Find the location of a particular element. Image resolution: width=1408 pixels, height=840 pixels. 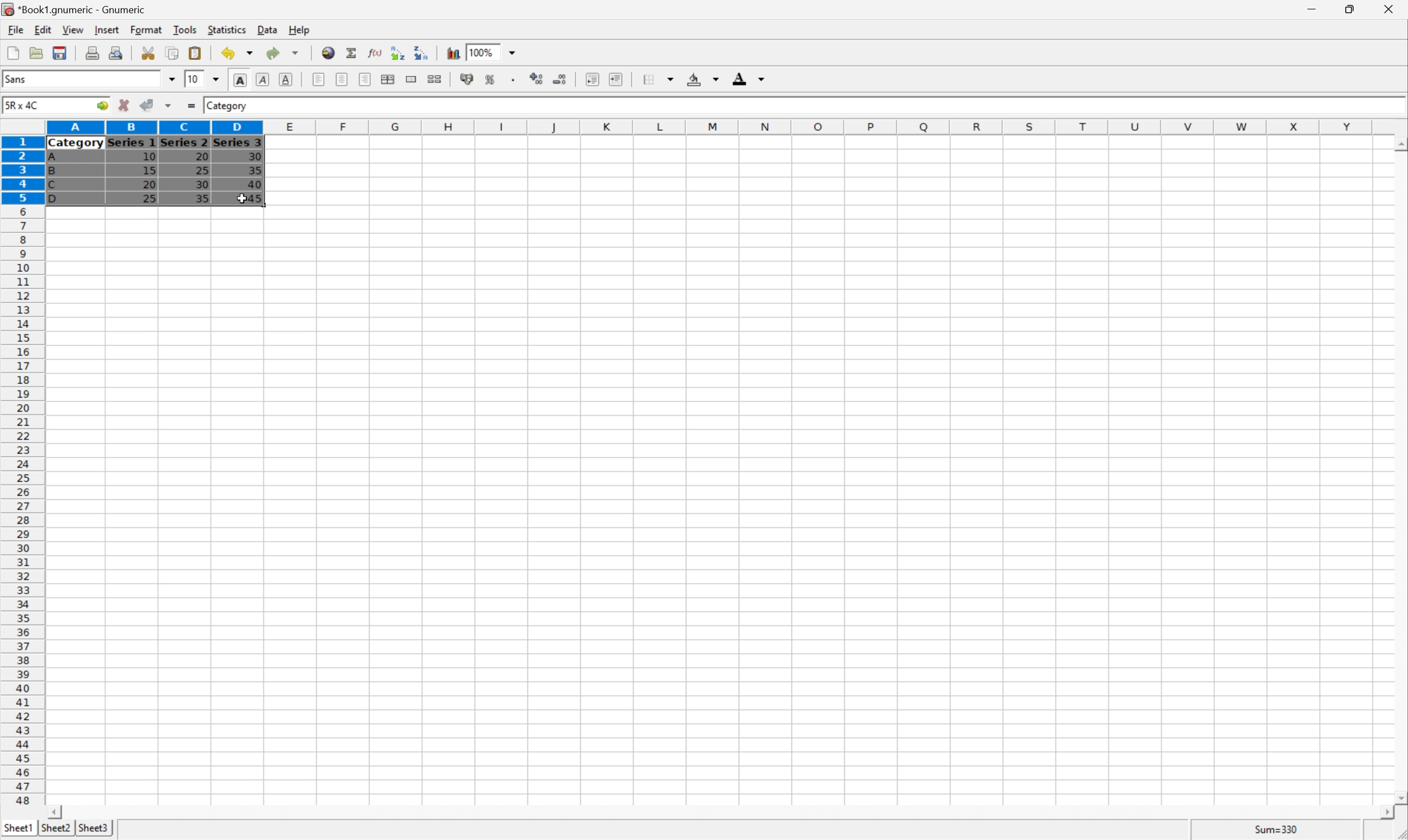

Restore Down is located at coordinates (1344, 9).